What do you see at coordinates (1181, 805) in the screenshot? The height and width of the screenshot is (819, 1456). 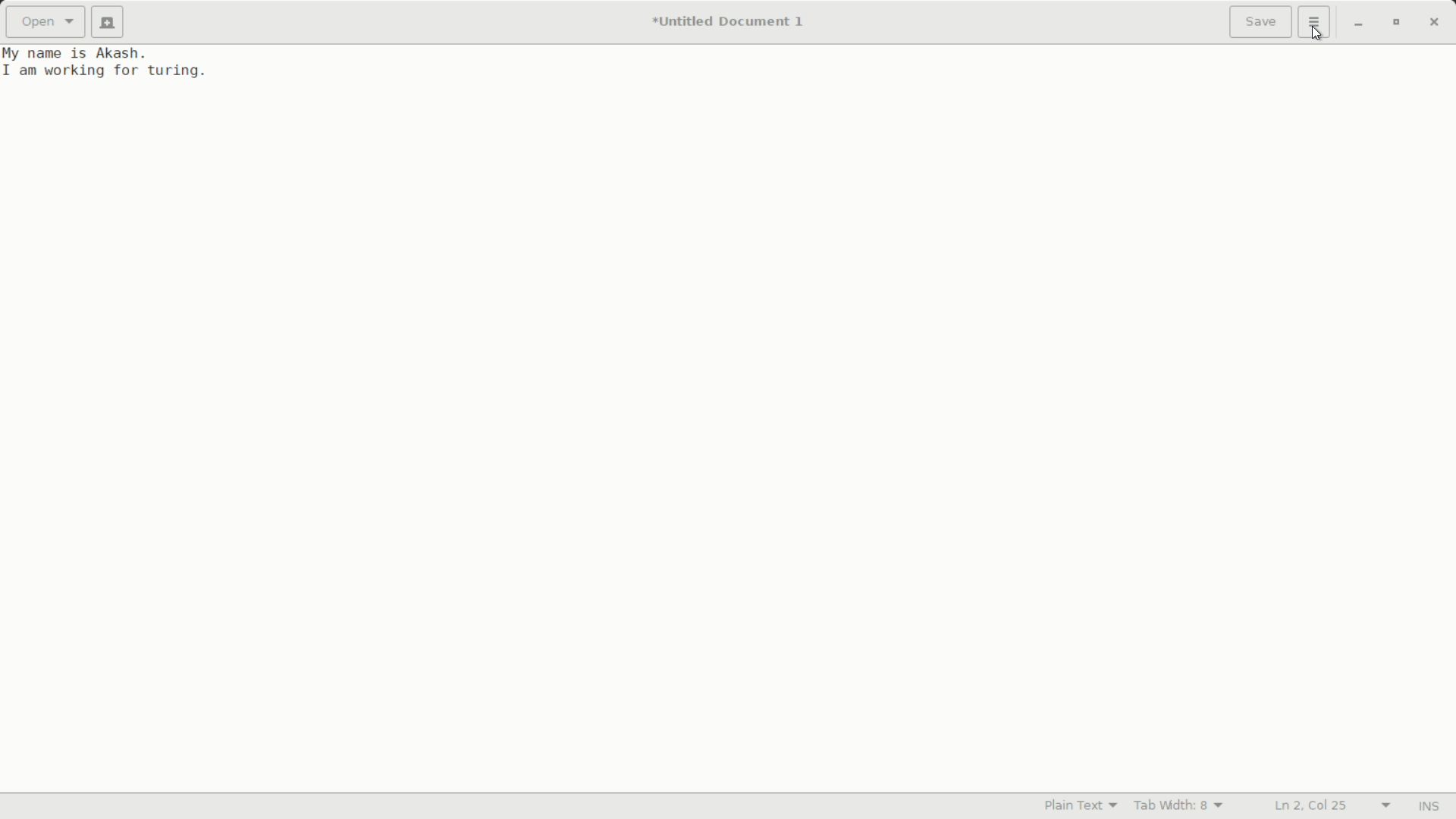 I see `tab width` at bounding box center [1181, 805].